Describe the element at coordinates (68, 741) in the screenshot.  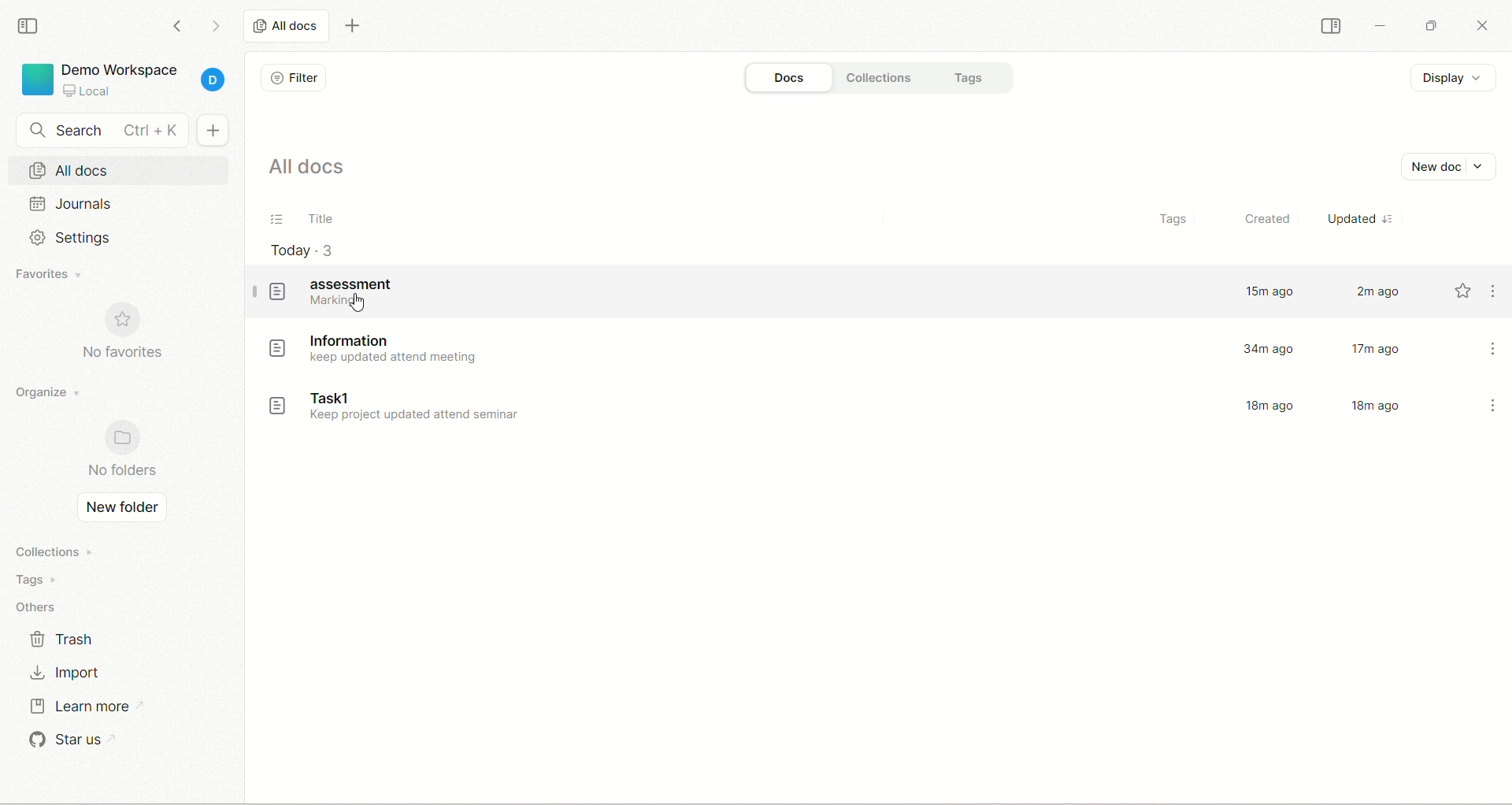
I see `star us` at that location.